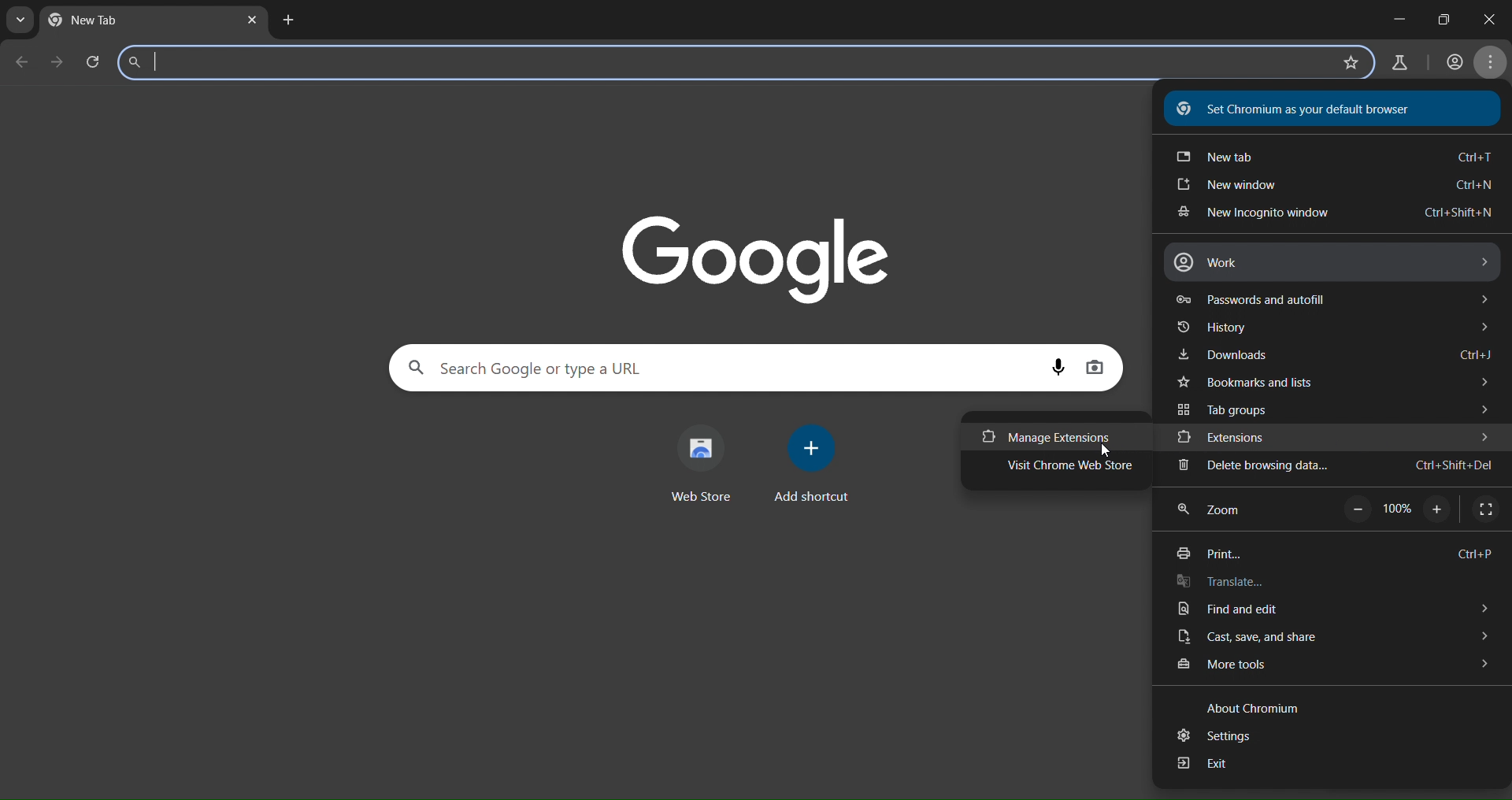 This screenshot has width=1512, height=800. I want to click on visit chrome webstore, so click(1060, 468).